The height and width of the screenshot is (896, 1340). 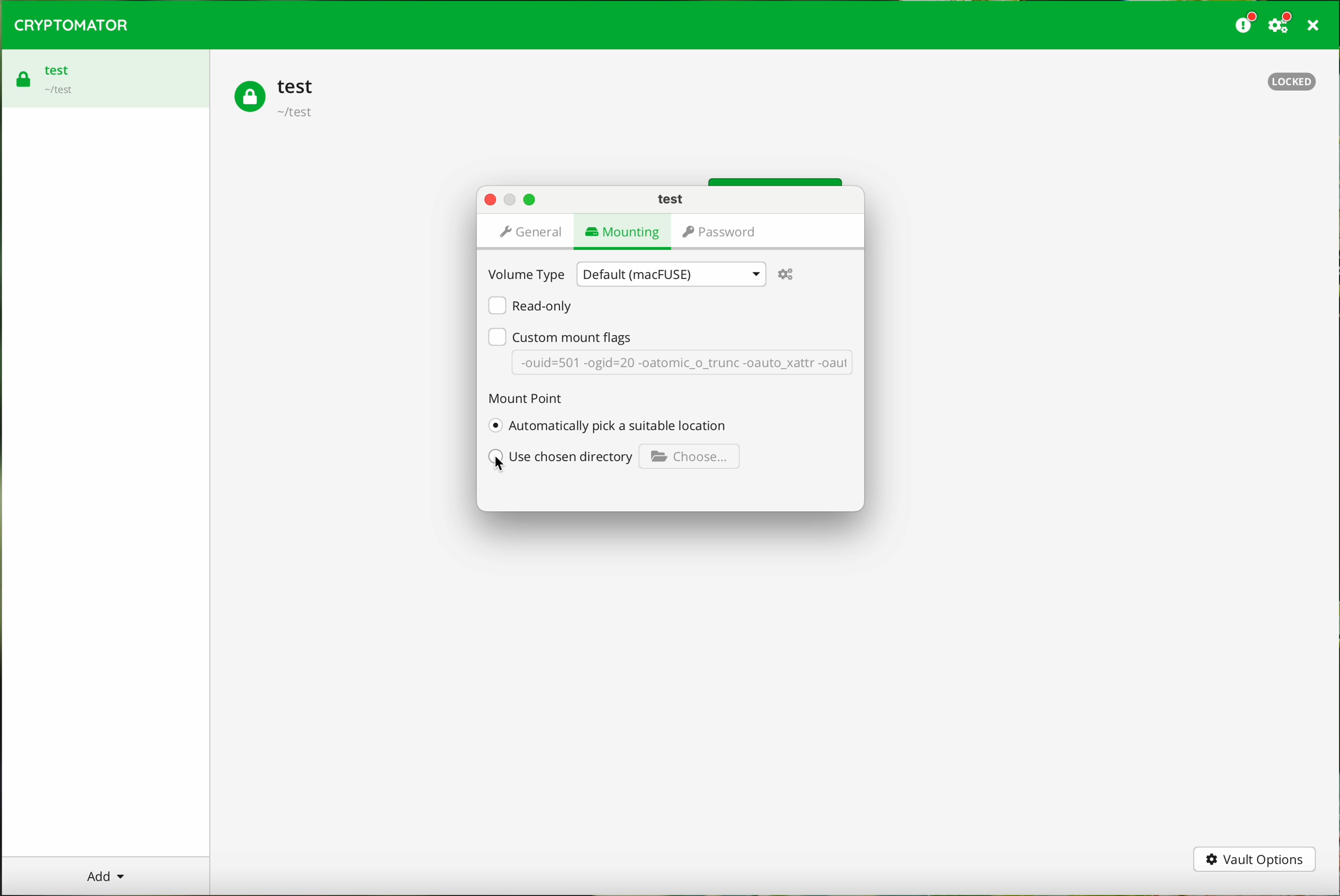 What do you see at coordinates (72, 26) in the screenshot?
I see `cryptomator` at bounding box center [72, 26].